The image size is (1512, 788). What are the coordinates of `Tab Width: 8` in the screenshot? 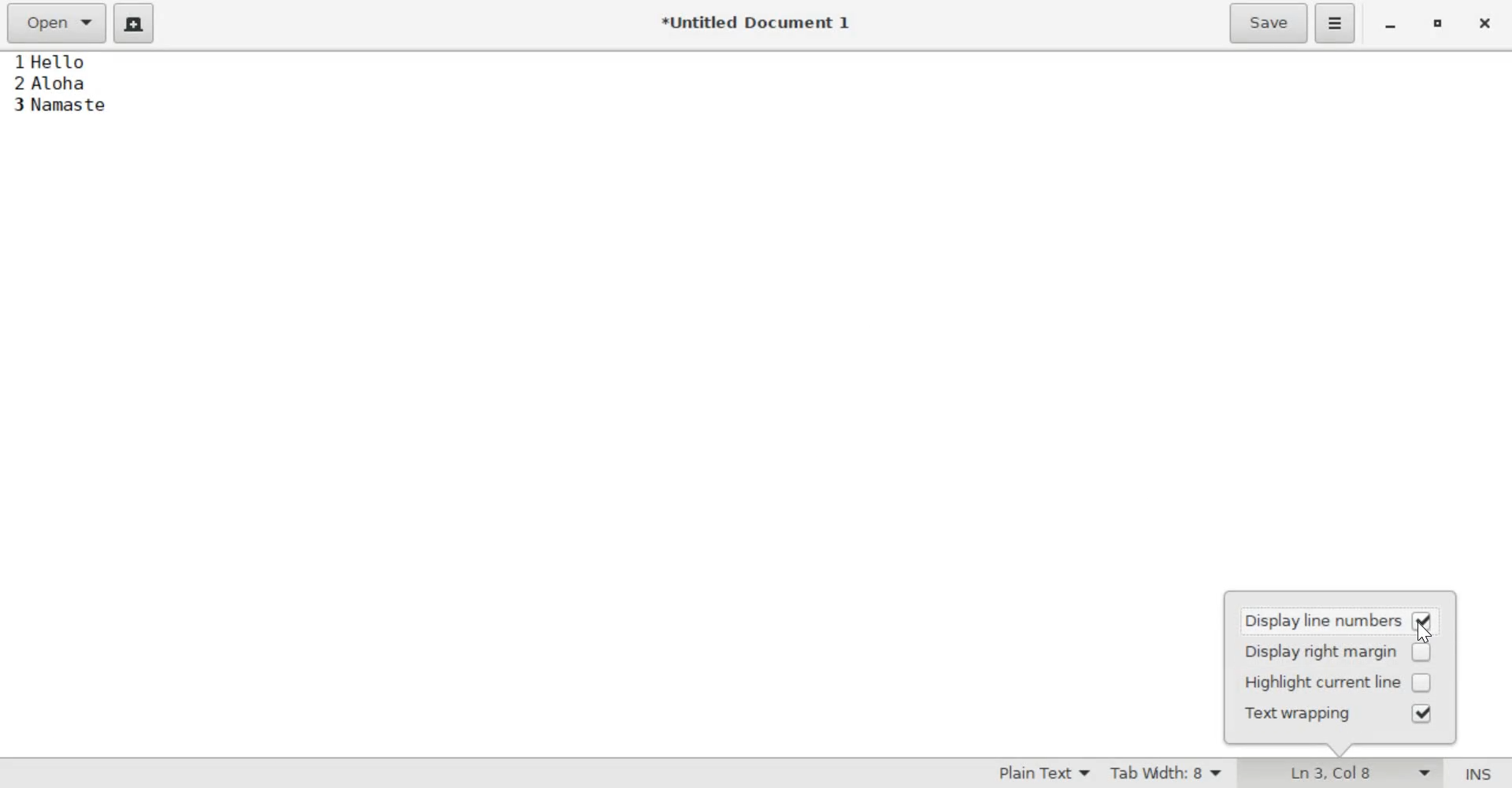 It's located at (1173, 773).